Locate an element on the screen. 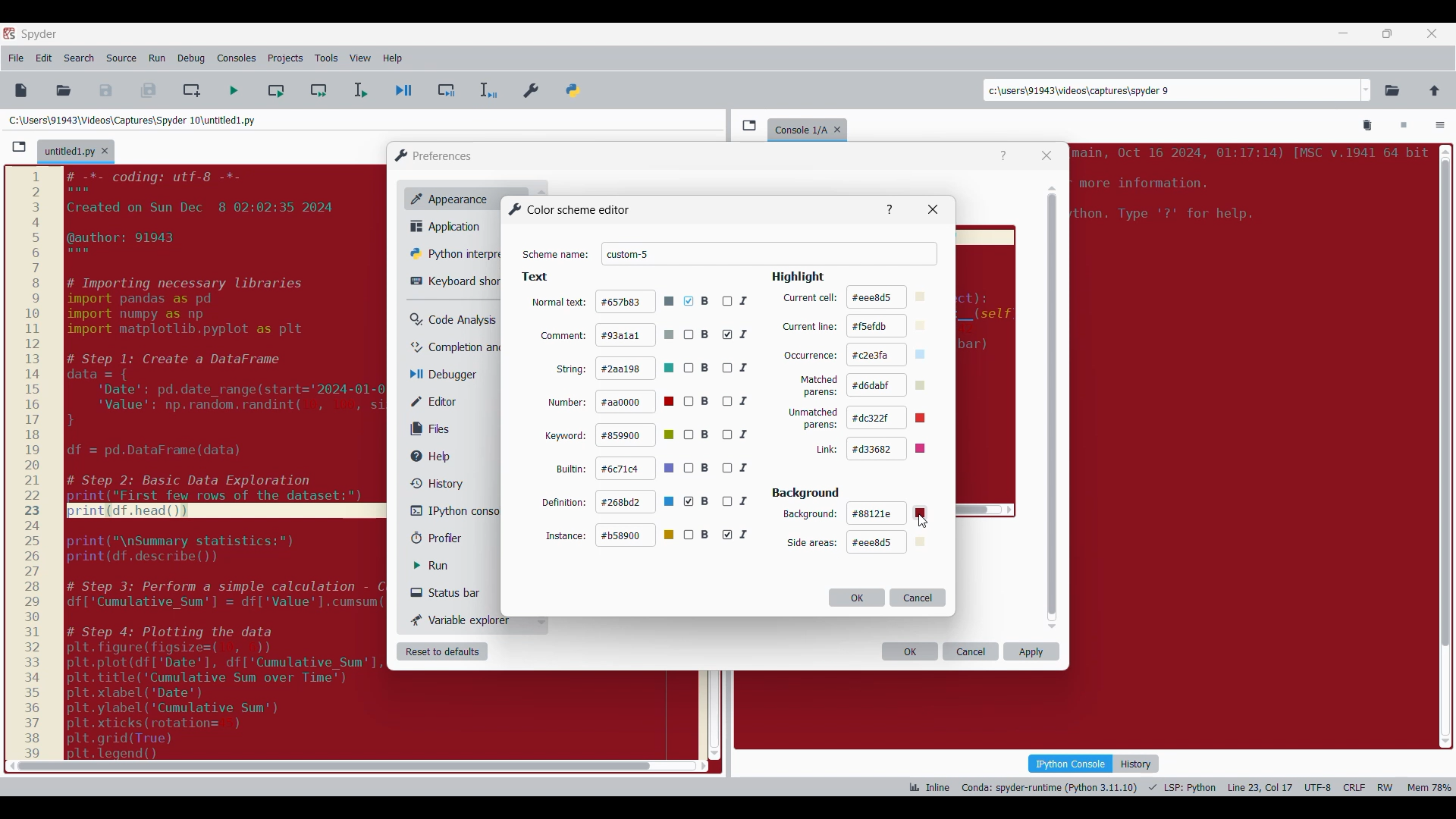 Image resolution: width=1456 pixels, height=819 pixels. number is located at coordinates (568, 403).